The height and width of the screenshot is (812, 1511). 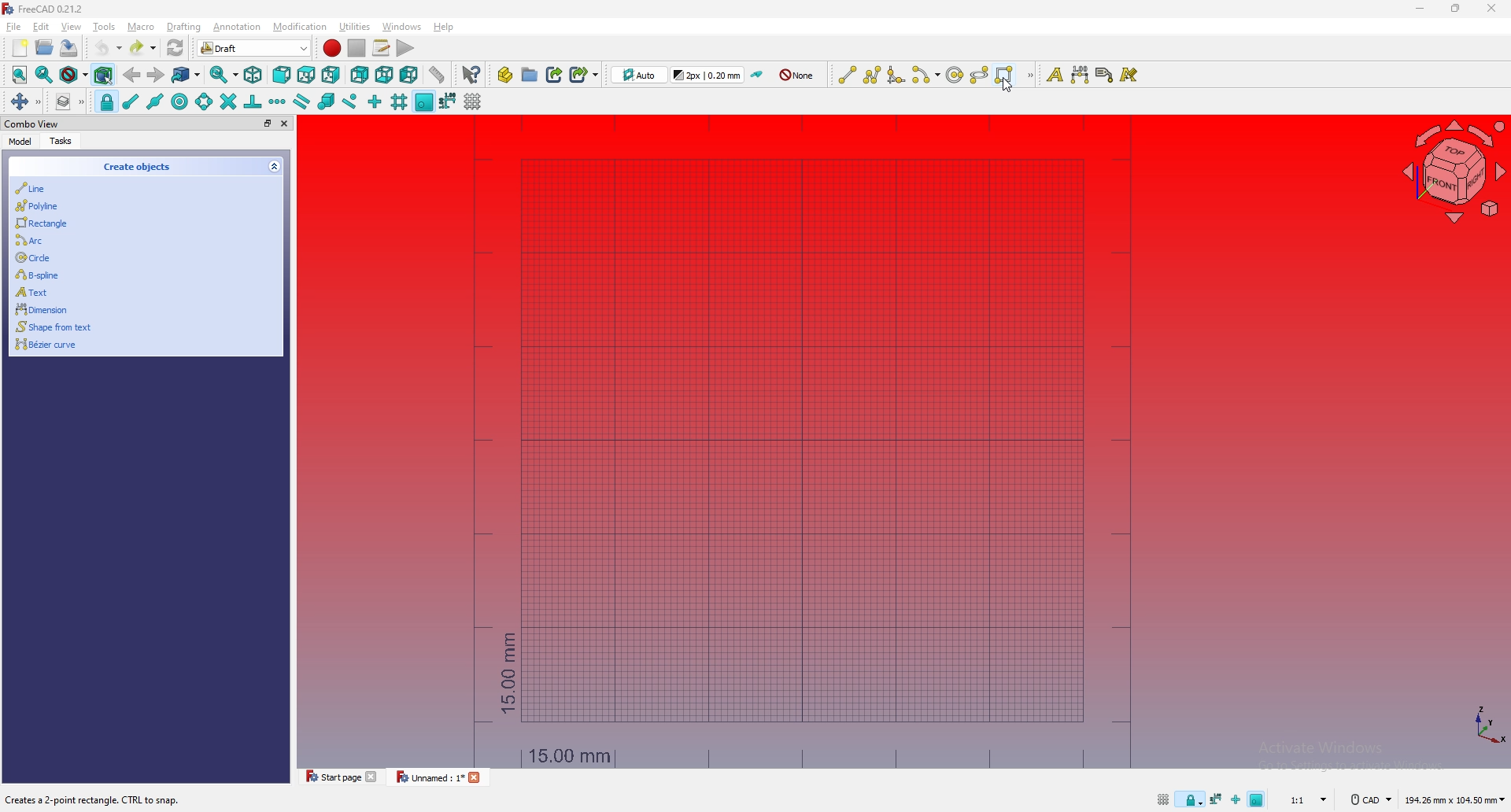 What do you see at coordinates (104, 76) in the screenshot?
I see `bounding box` at bounding box center [104, 76].